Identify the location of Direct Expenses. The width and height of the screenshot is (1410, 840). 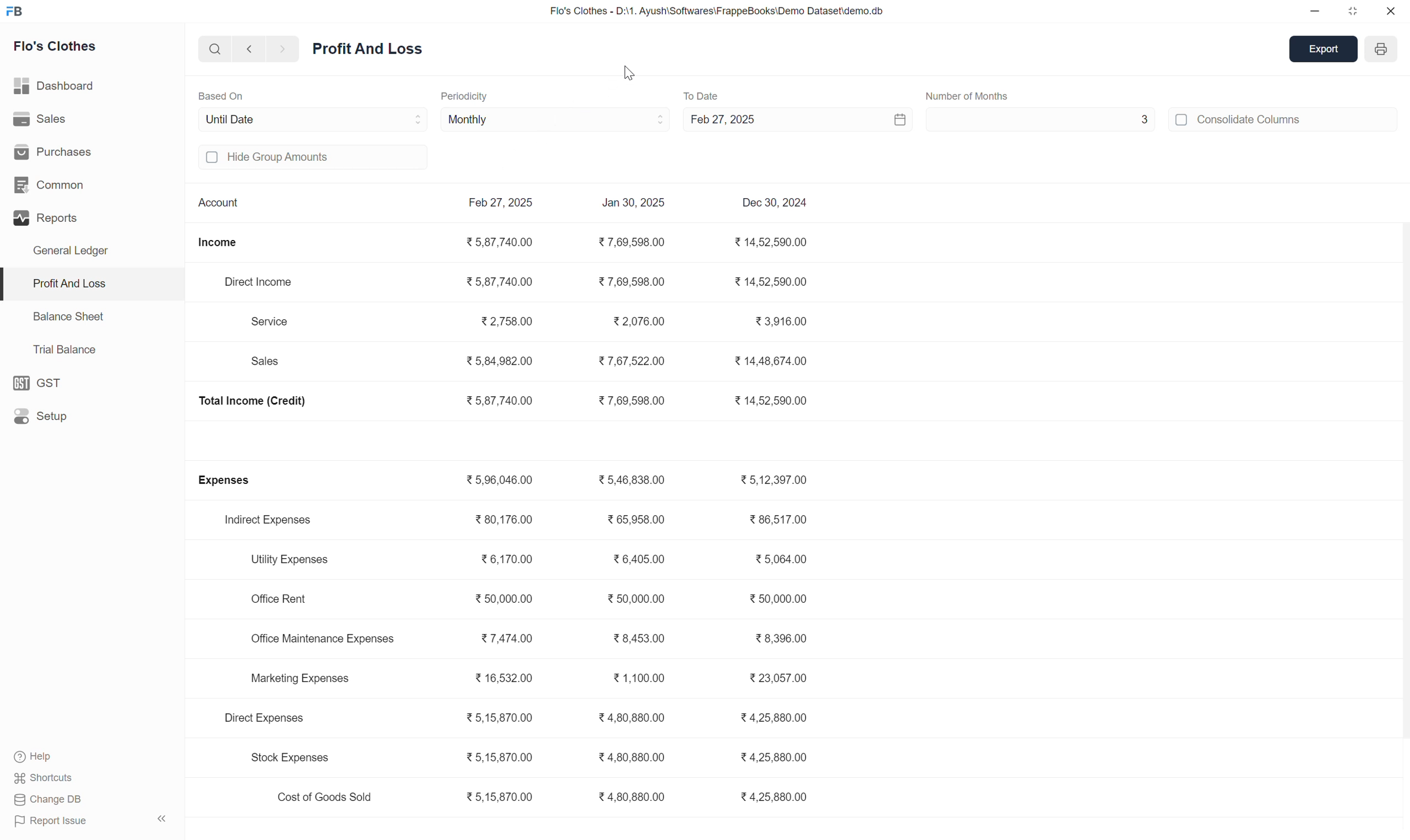
(265, 718).